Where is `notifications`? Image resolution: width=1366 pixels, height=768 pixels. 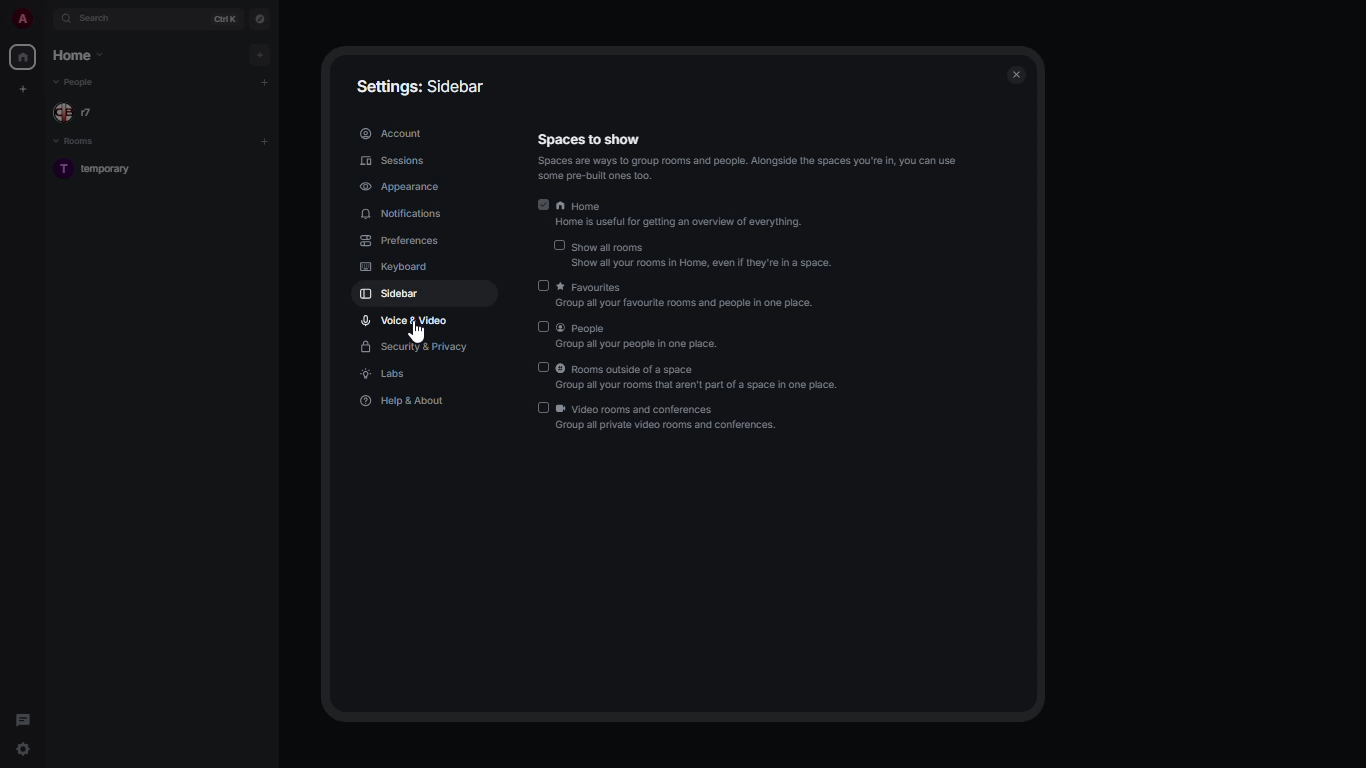 notifications is located at coordinates (402, 214).